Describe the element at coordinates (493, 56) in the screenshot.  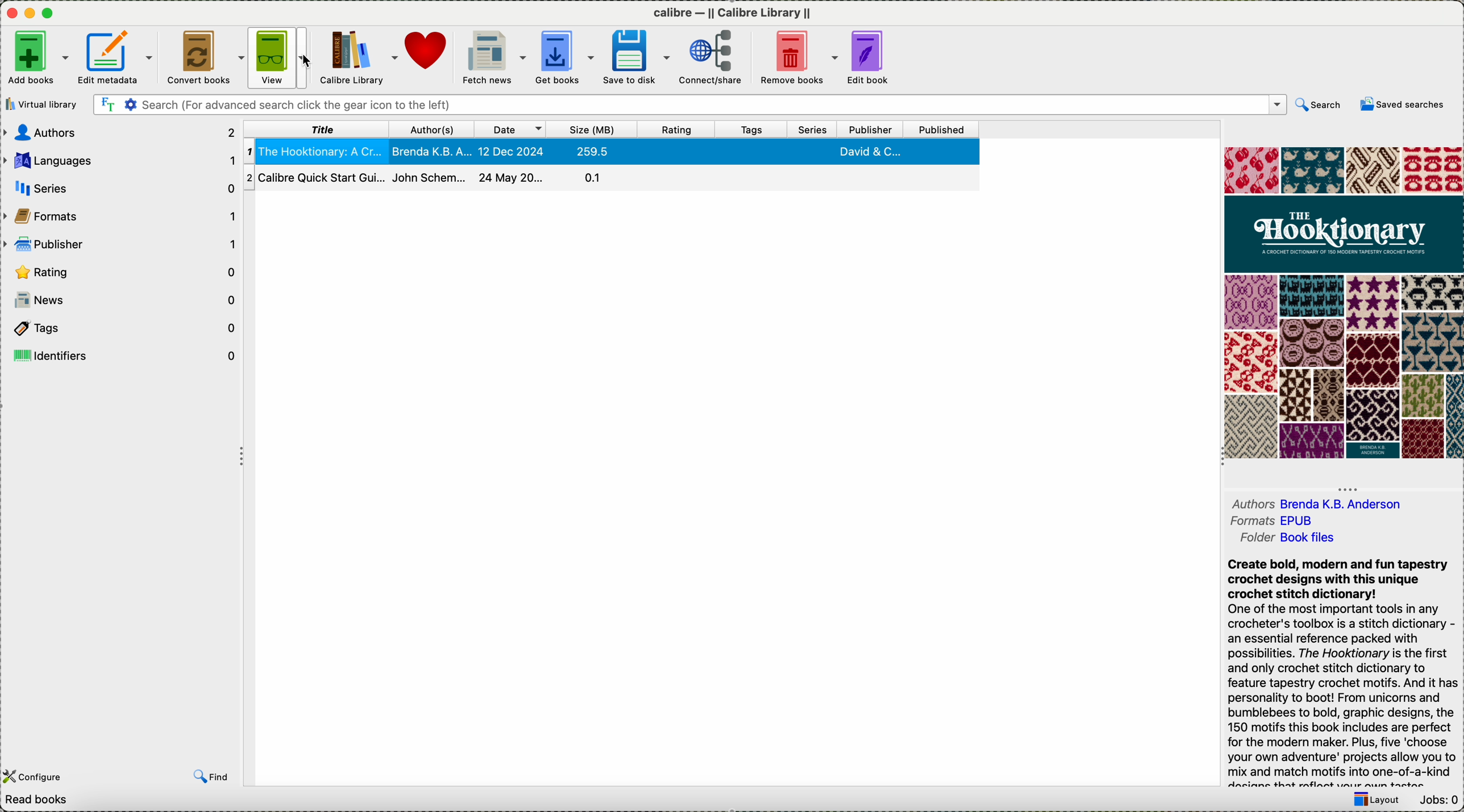
I see `fetch news` at that location.